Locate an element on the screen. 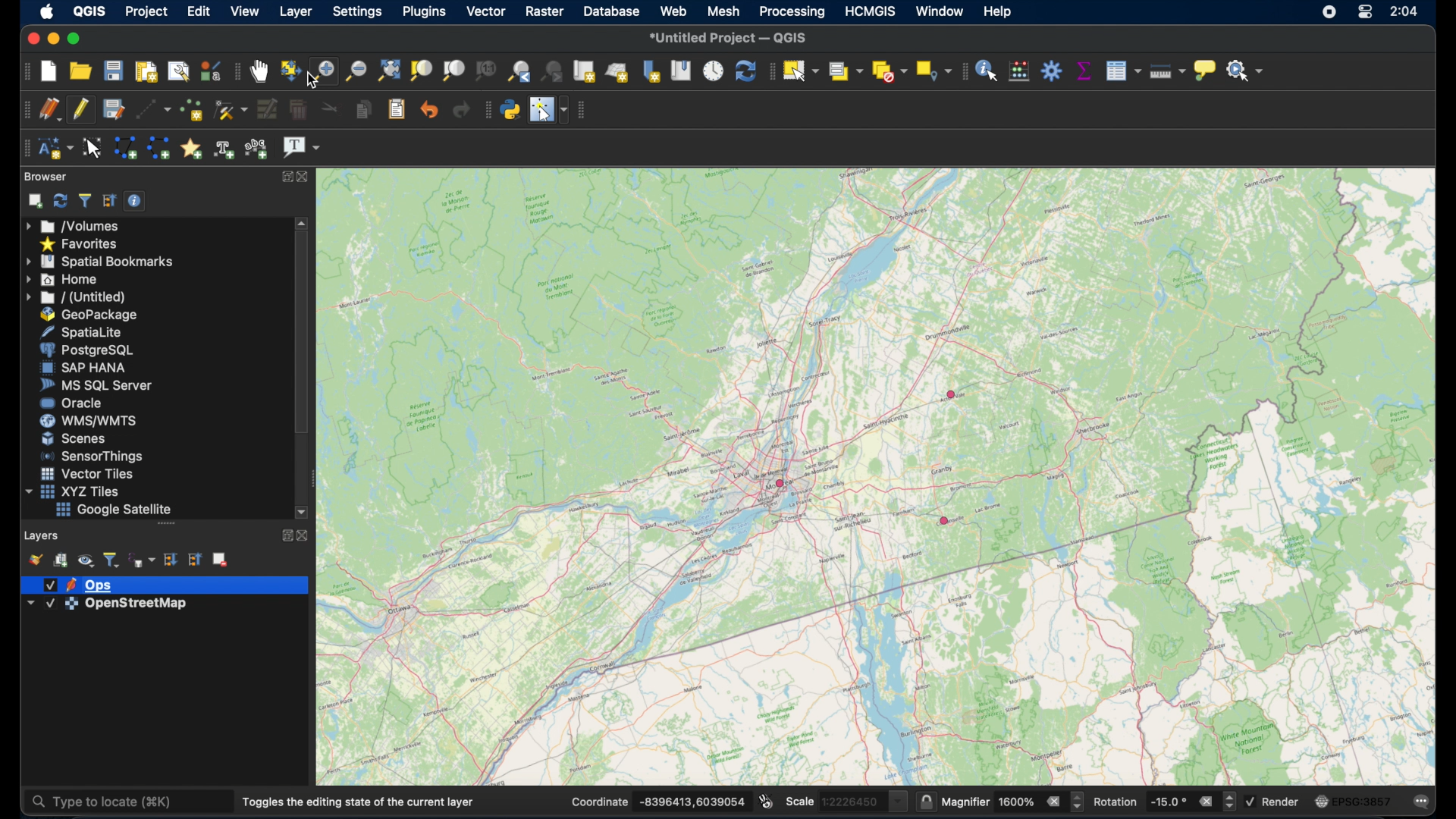 This screenshot has width=1456, height=819. xyzzy tiles is located at coordinates (74, 491).